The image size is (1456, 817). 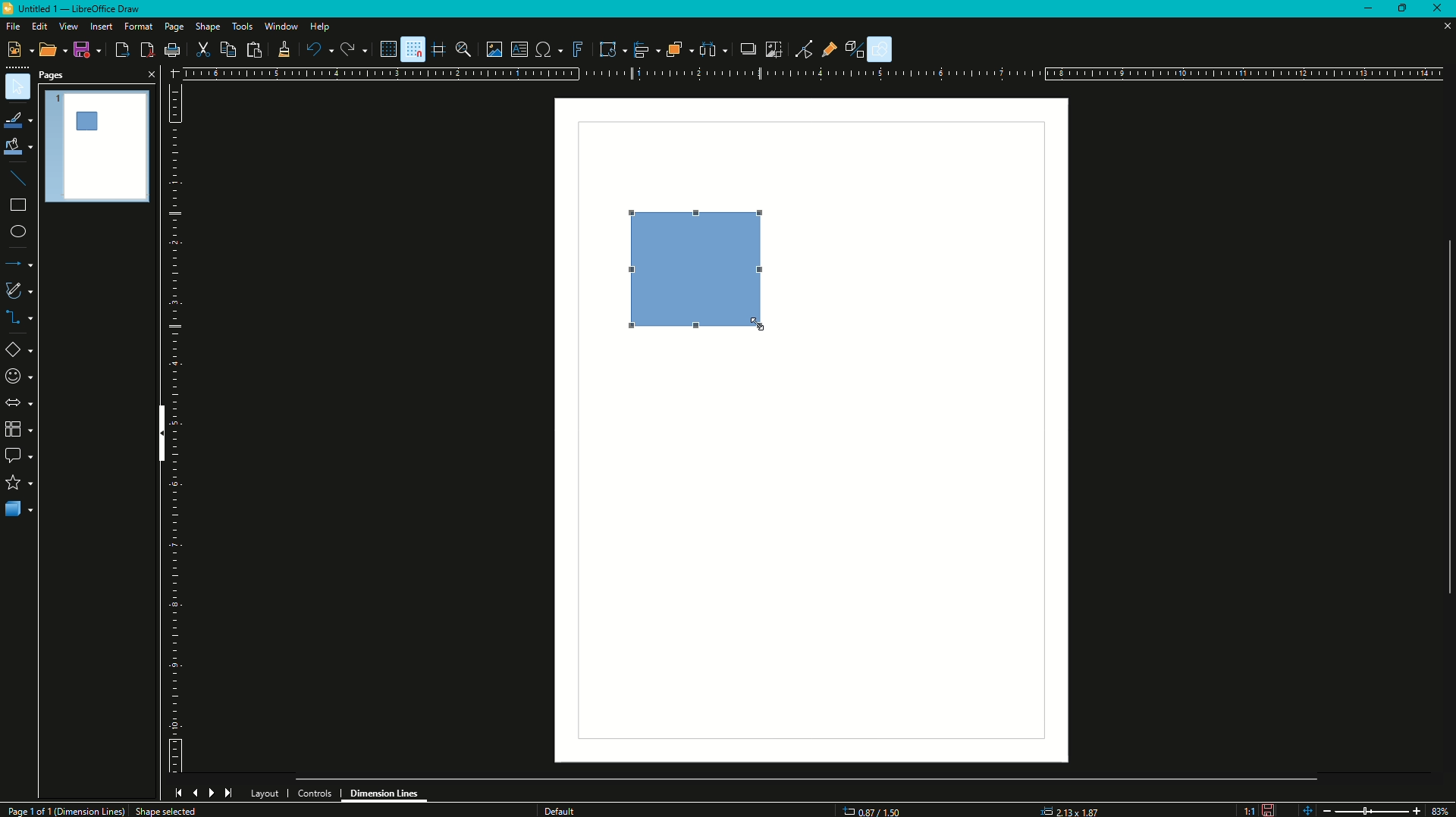 I want to click on Not saved, so click(x=1268, y=809).